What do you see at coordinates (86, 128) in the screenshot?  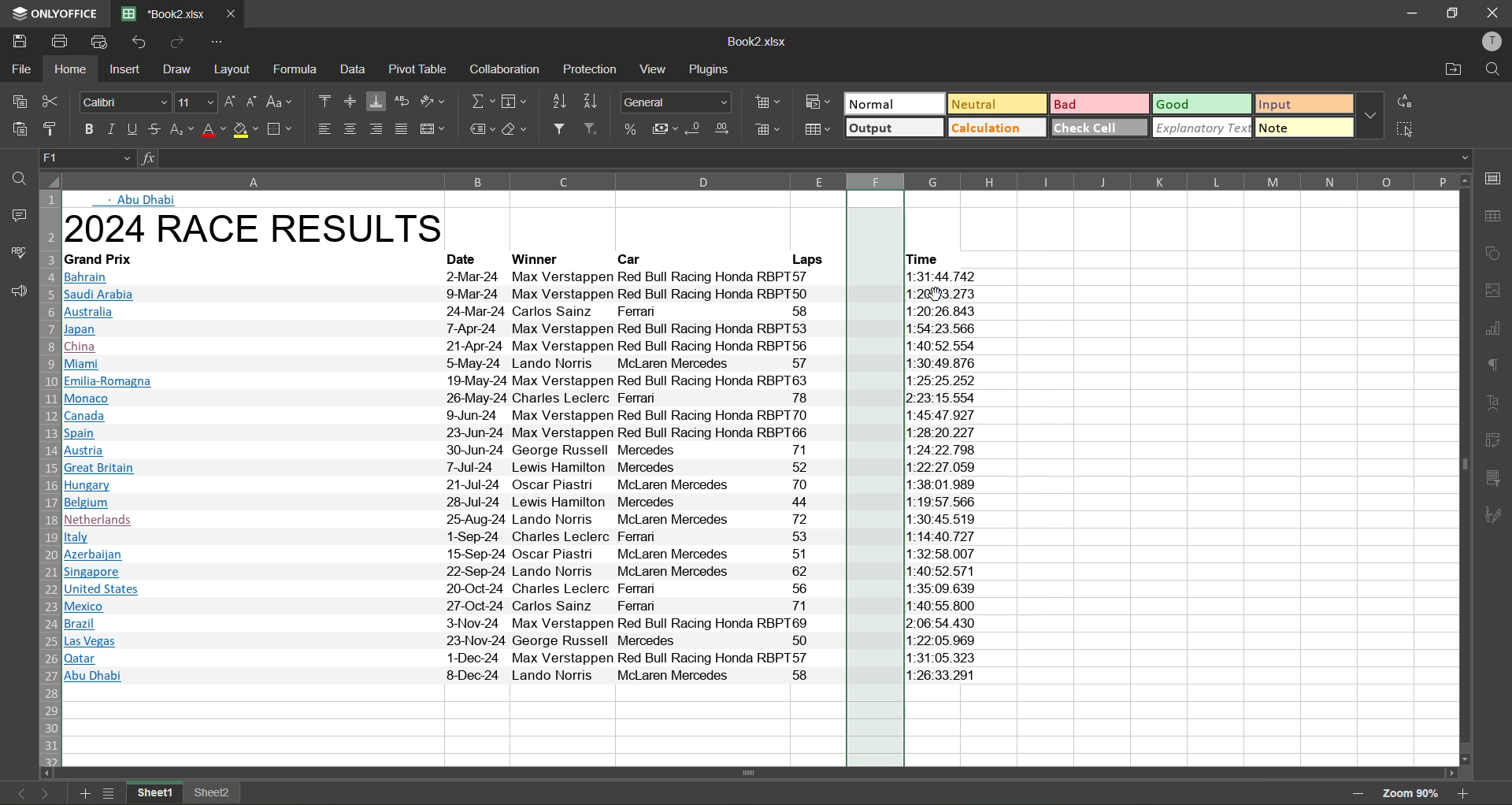 I see `bold` at bounding box center [86, 128].